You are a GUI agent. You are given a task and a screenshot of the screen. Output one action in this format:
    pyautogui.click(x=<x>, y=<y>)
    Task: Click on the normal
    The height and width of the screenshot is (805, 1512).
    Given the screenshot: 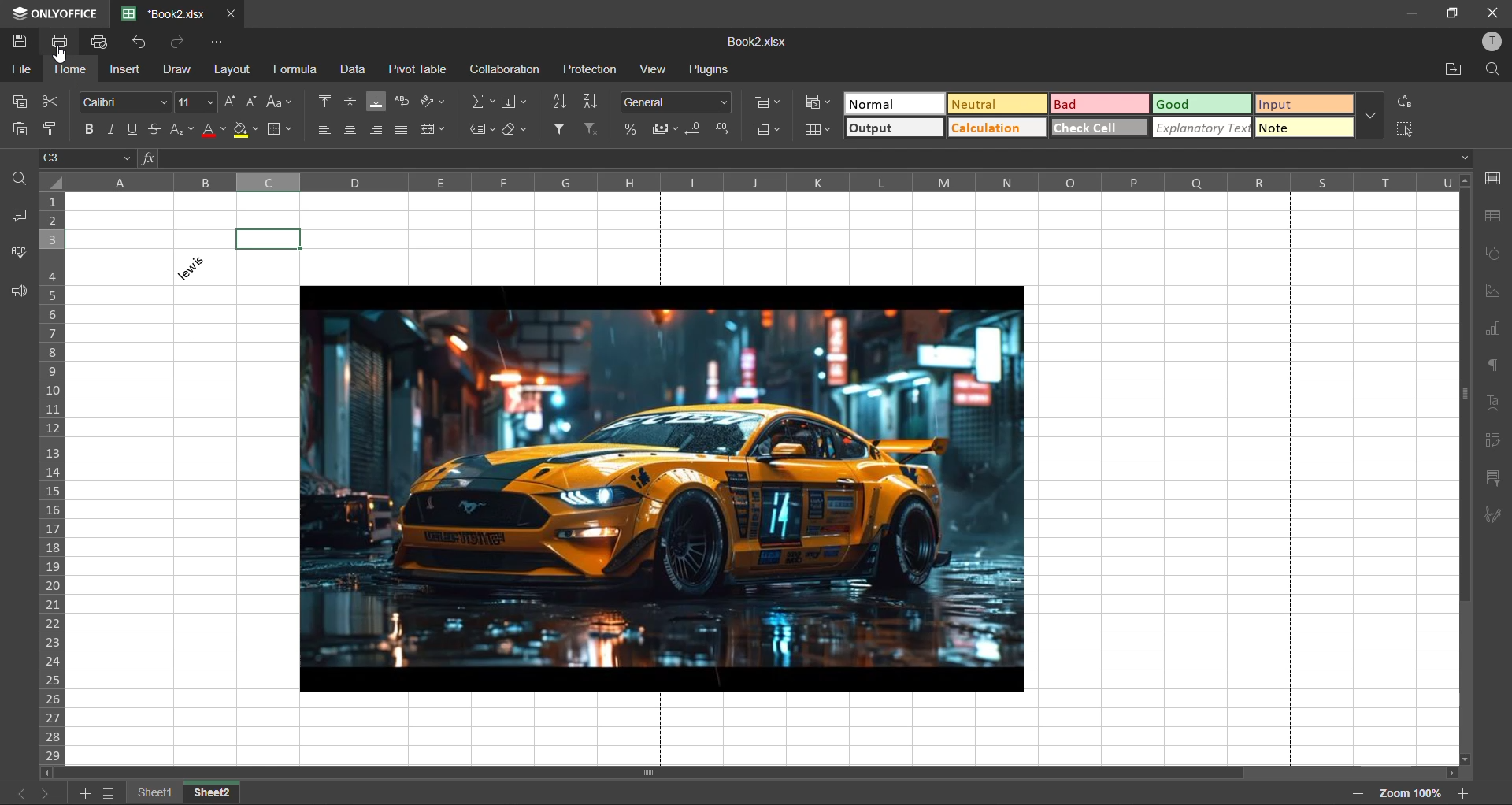 What is the action you would take?
    pyautogui.click(x=893, y=102)
    